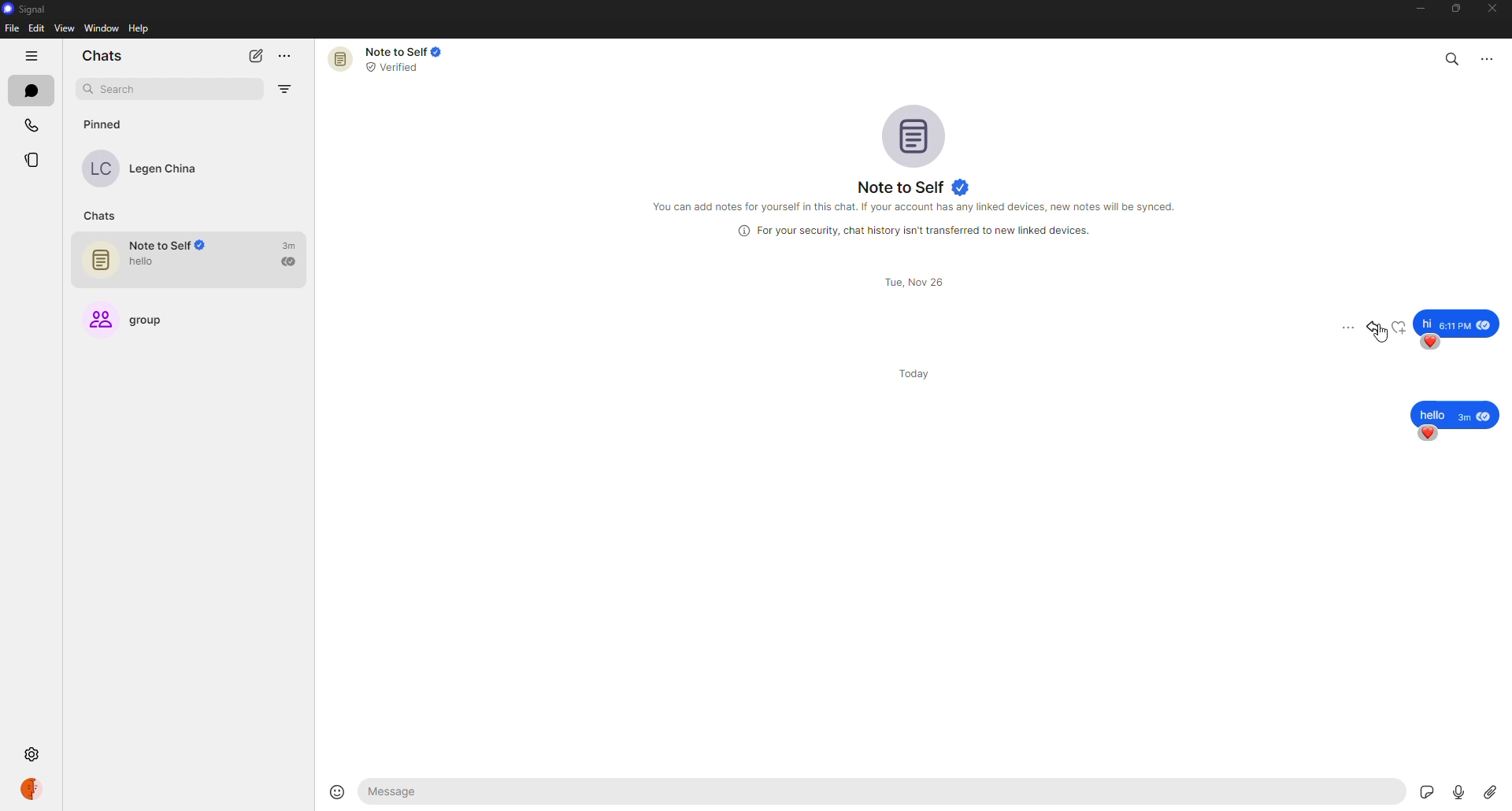 Image resolution: width=1512 pixels, height=811 pixels. What do you see at coordinates (104, 55) in the screenshot?
I see `chats` at bounding box center [104, 55].